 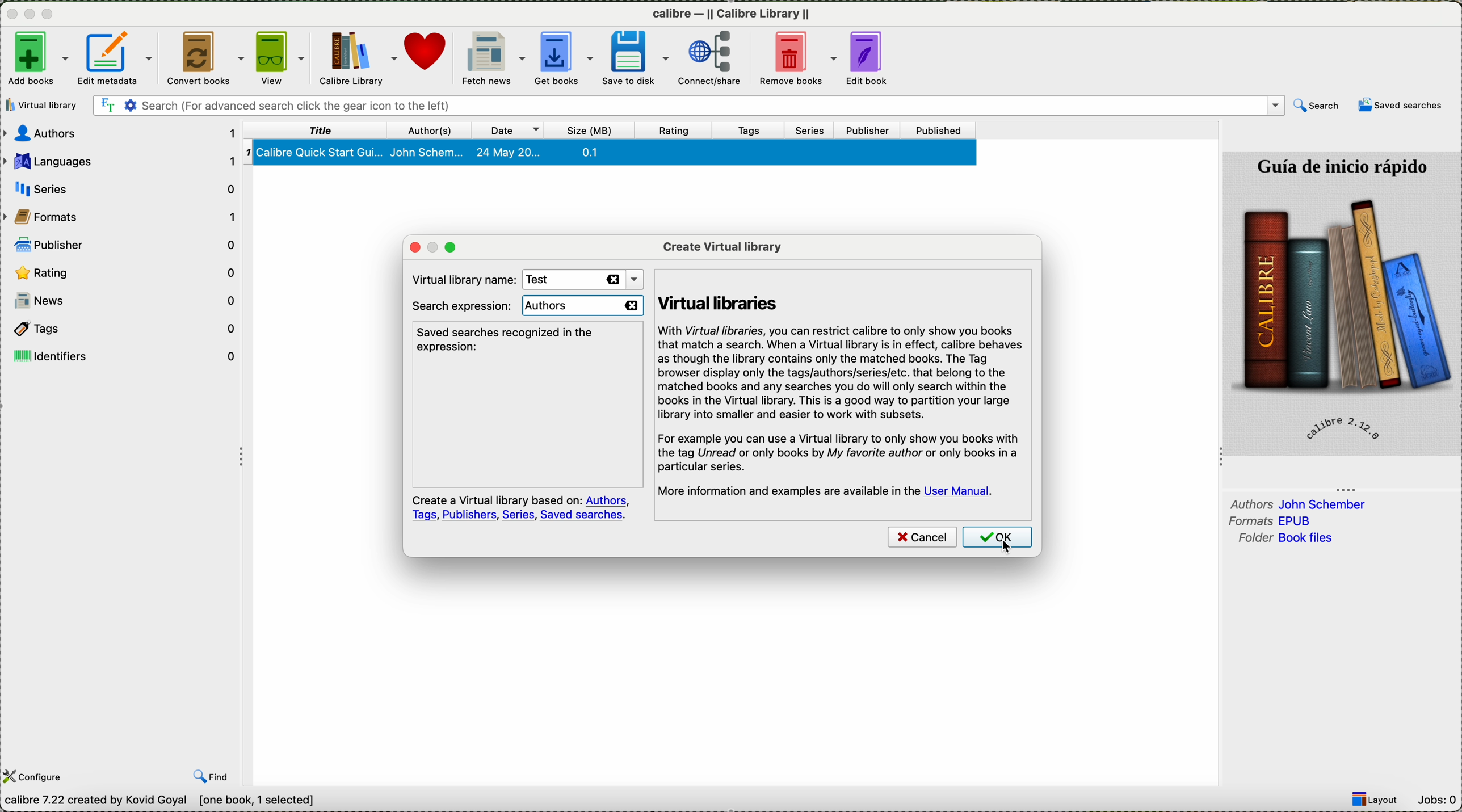 I want to click on remove books, so click(x=802, y=59).